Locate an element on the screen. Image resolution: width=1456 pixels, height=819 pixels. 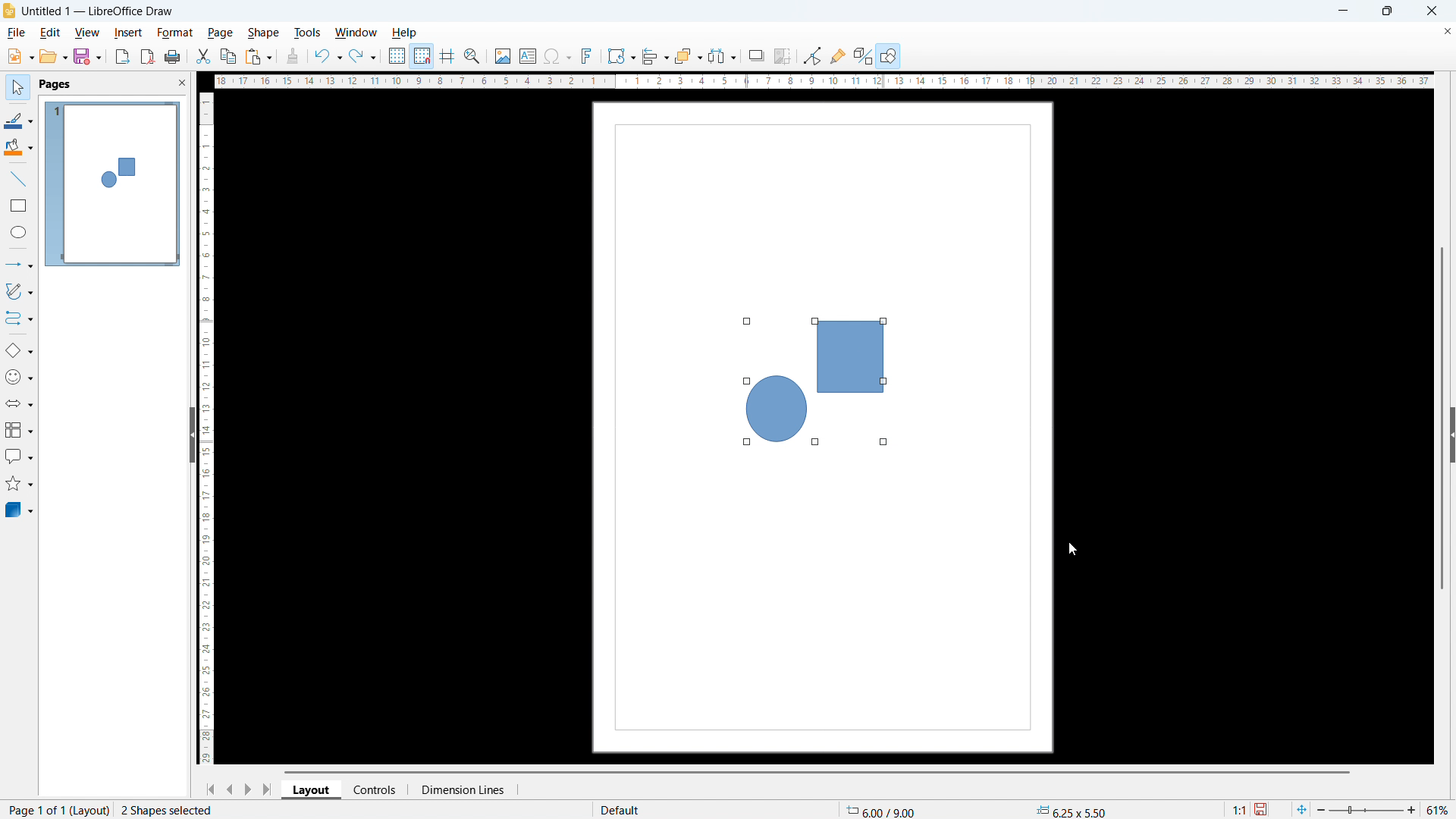
callout shapes is located at coordinates (18, 457).